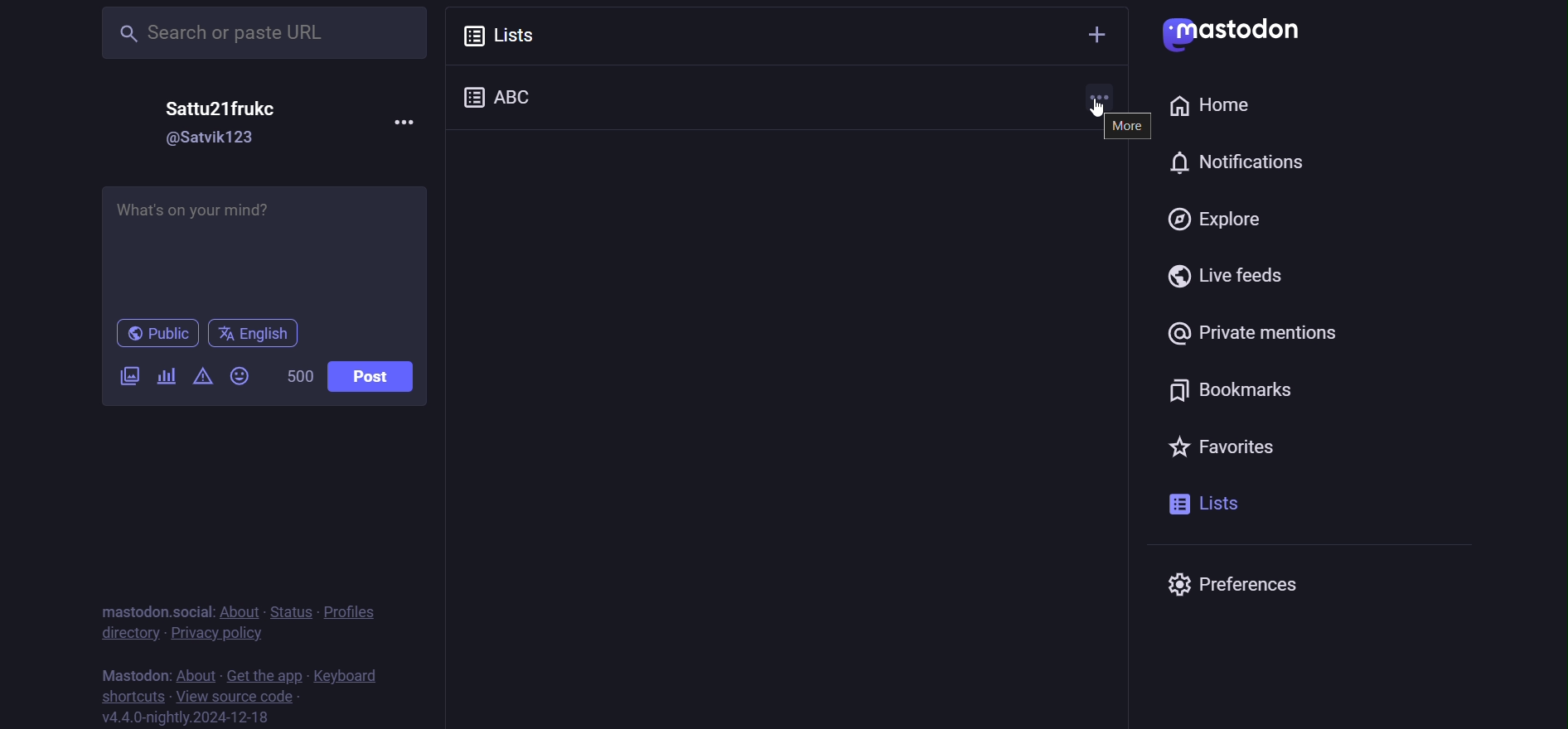  Describe the element at coordinates (167, 375) in the screenshot. I see `poll` at that location.